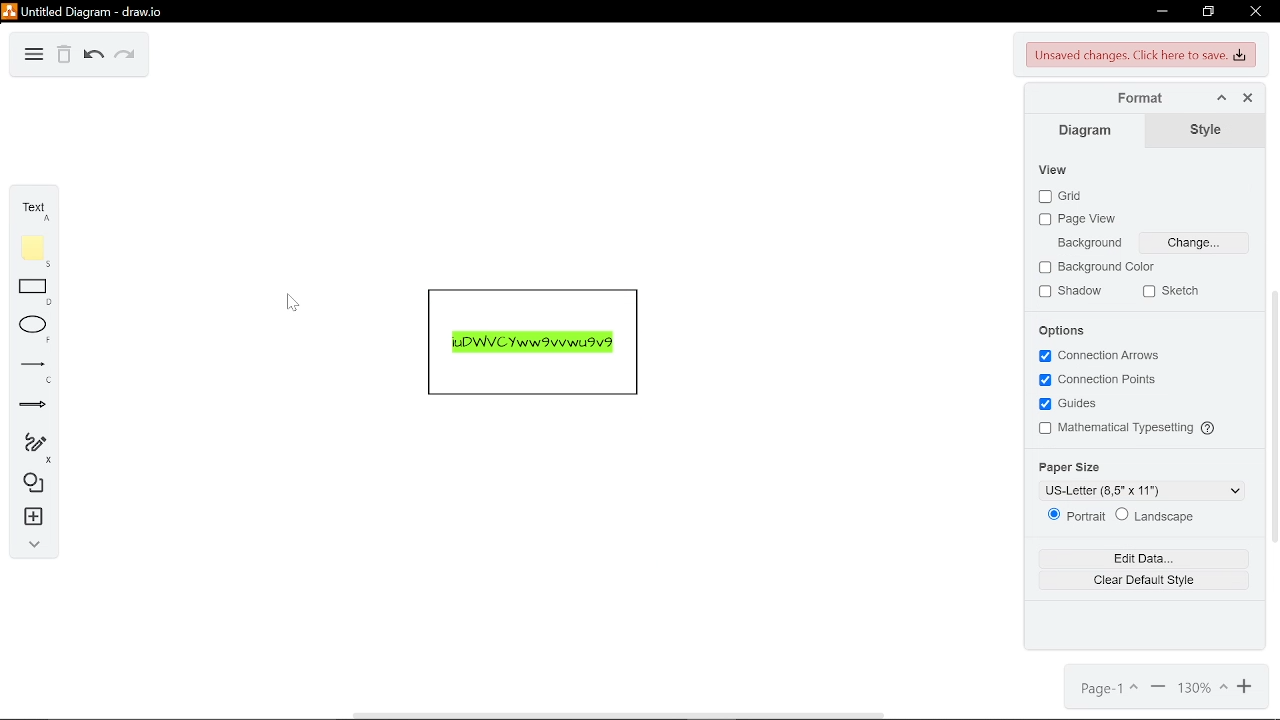 Image resolution: width=1280 pixels, height=720 pixels. Describe the element at coordinates (1138, 55) in the screenshot. I see `Unsaved changes. Click here to save changes` at that location.